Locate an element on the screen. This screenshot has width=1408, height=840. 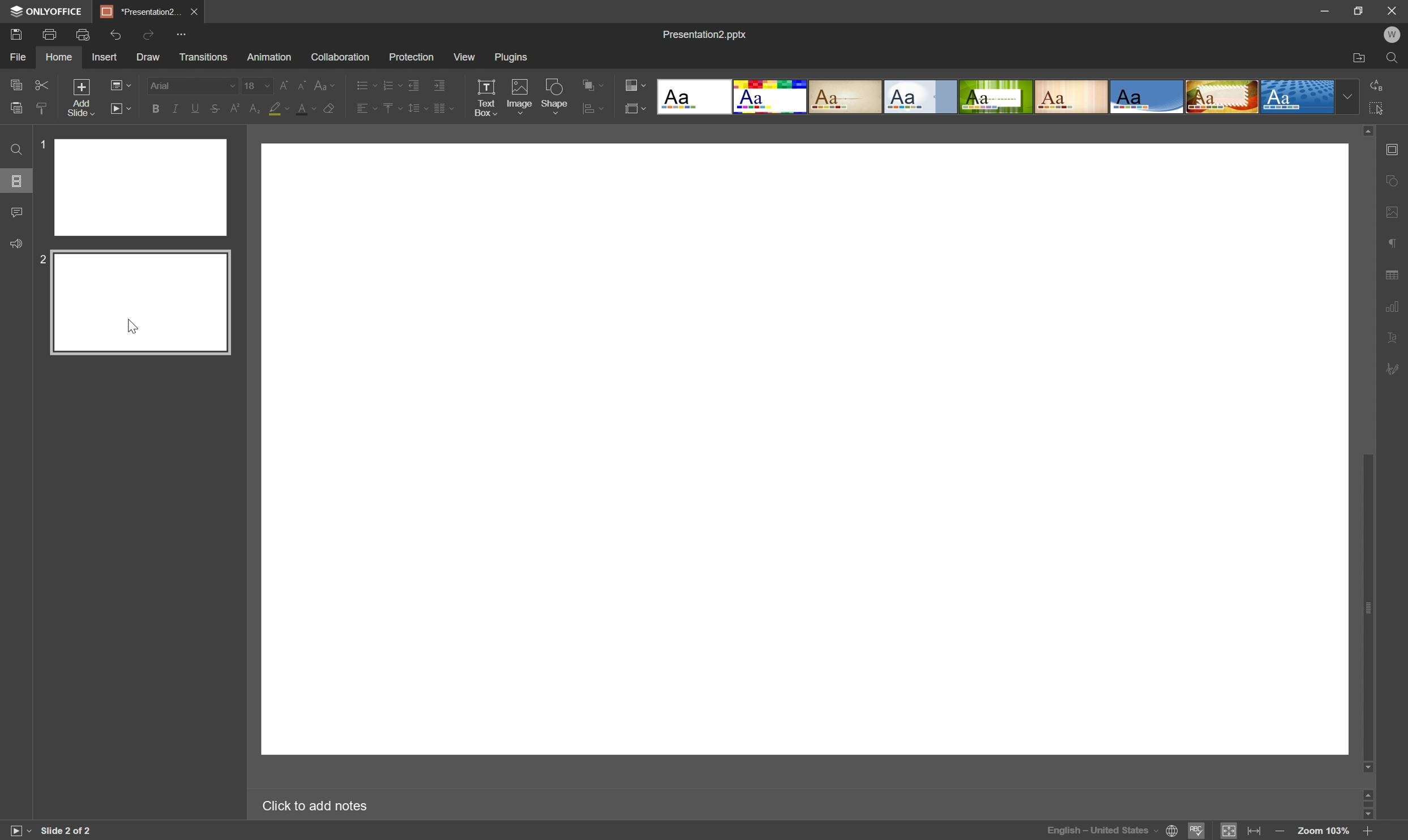
Paste style is located at coordinates (41, 109).